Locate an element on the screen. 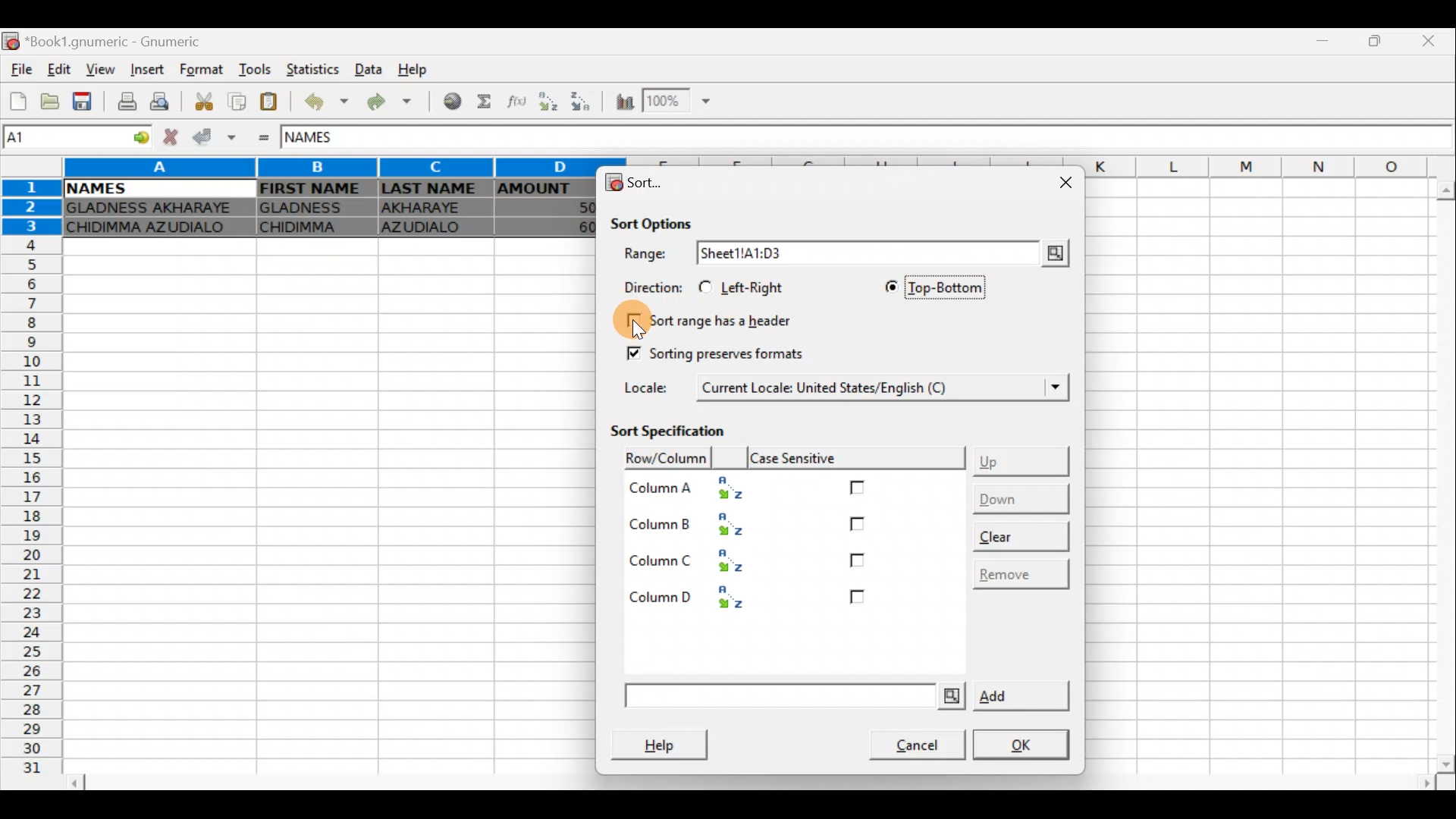 The image size is (1456, 819). Sort is located at coordinates (637, 183).